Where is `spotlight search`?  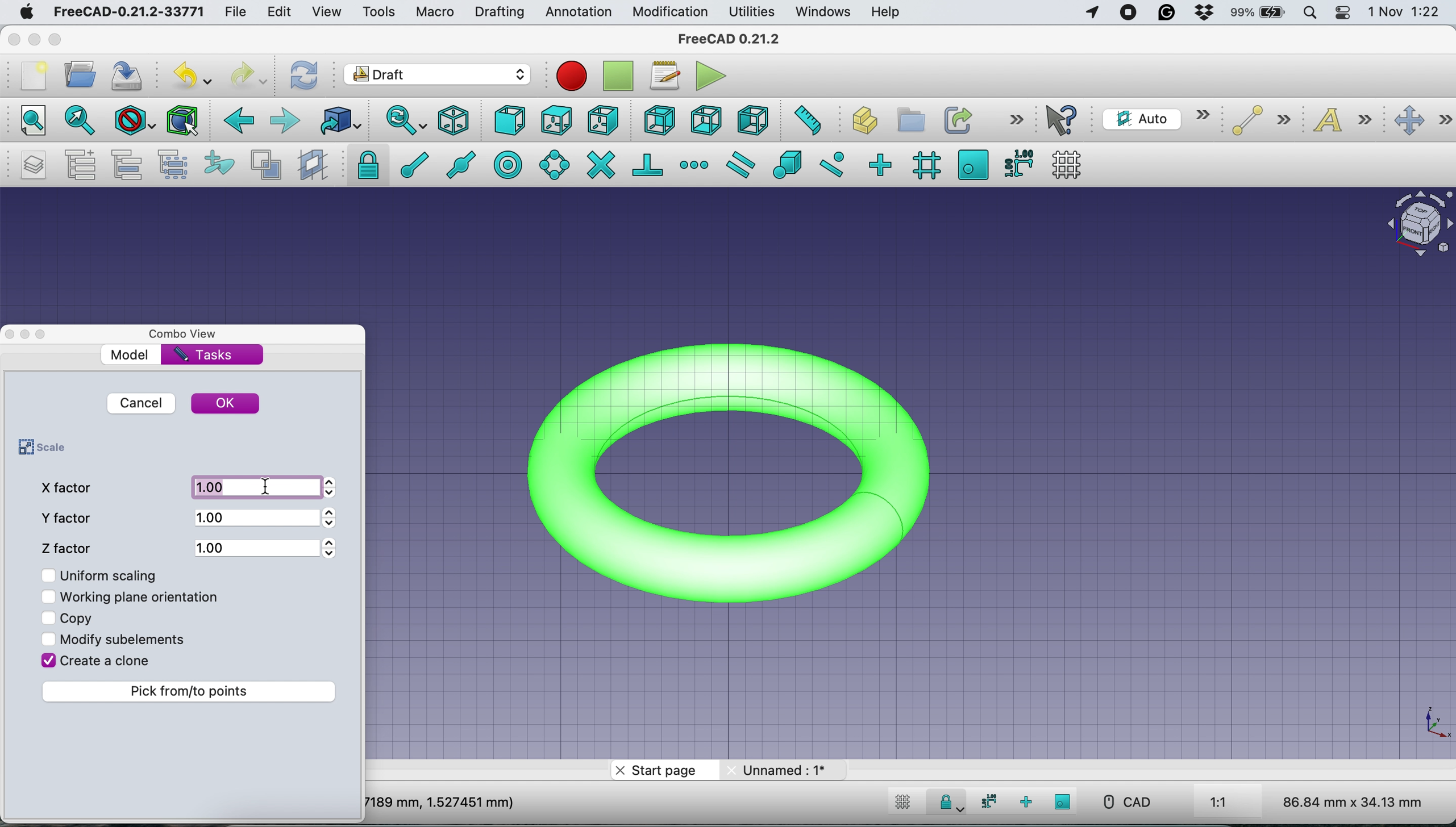 spotlight search is located at coordinates (1312, 11).